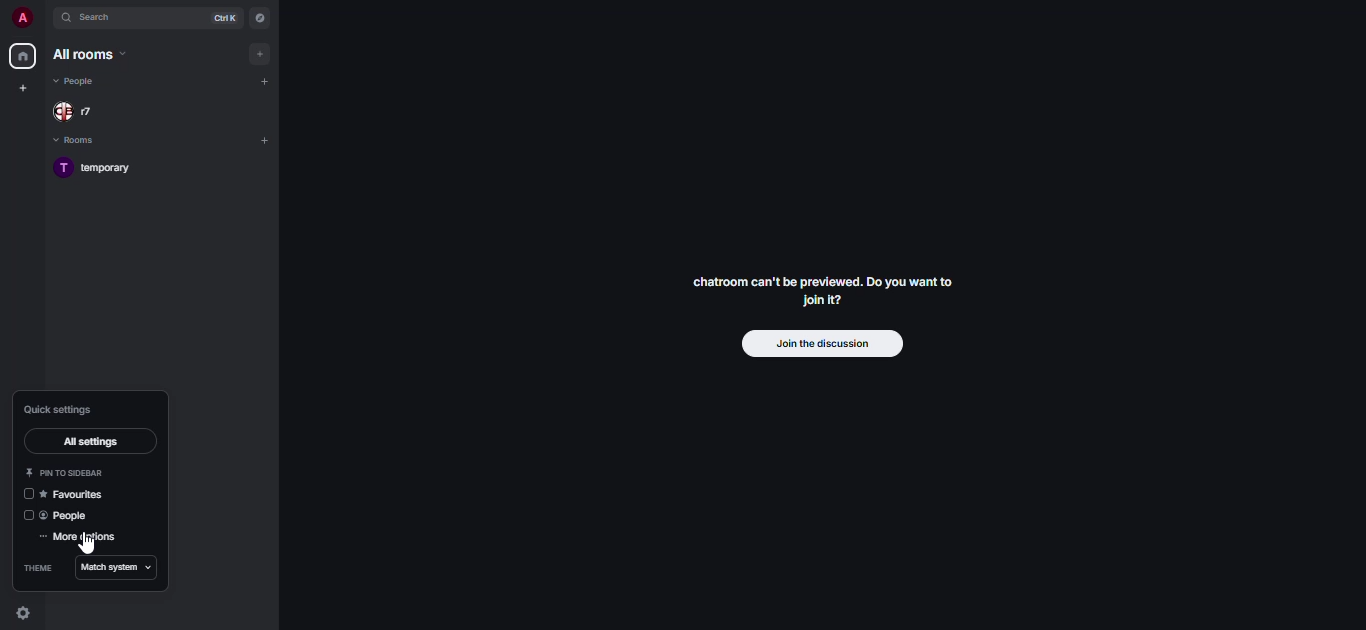 This screenshot has height=630, width=1366. I want to click on all settings, so click(89, 440).